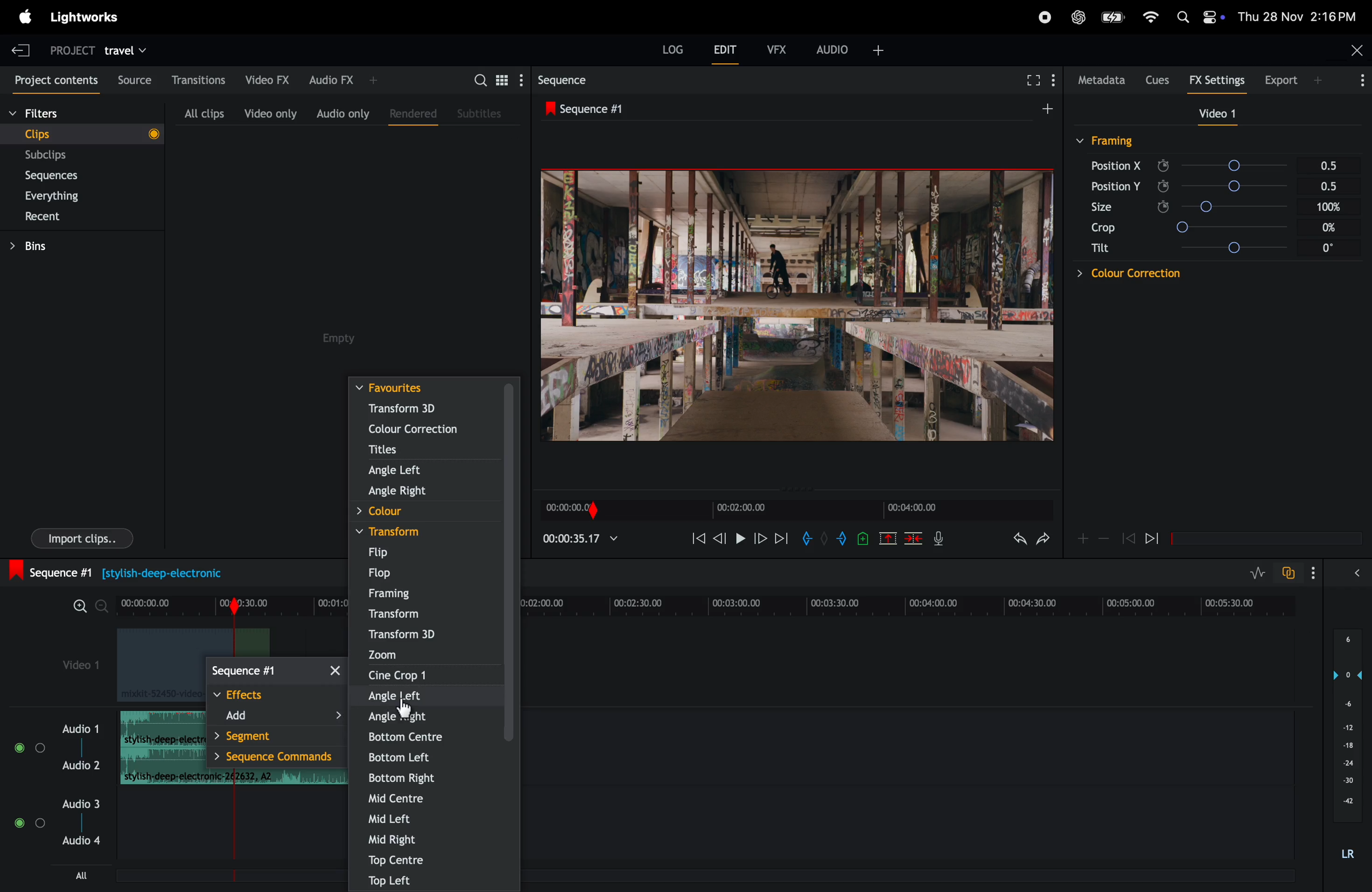 The width and height of the screenshot is (1372, 892). What do you see at coordinates (1117, 165) in the screenshot?
I see `position X` at bounding box center [1117, 165].